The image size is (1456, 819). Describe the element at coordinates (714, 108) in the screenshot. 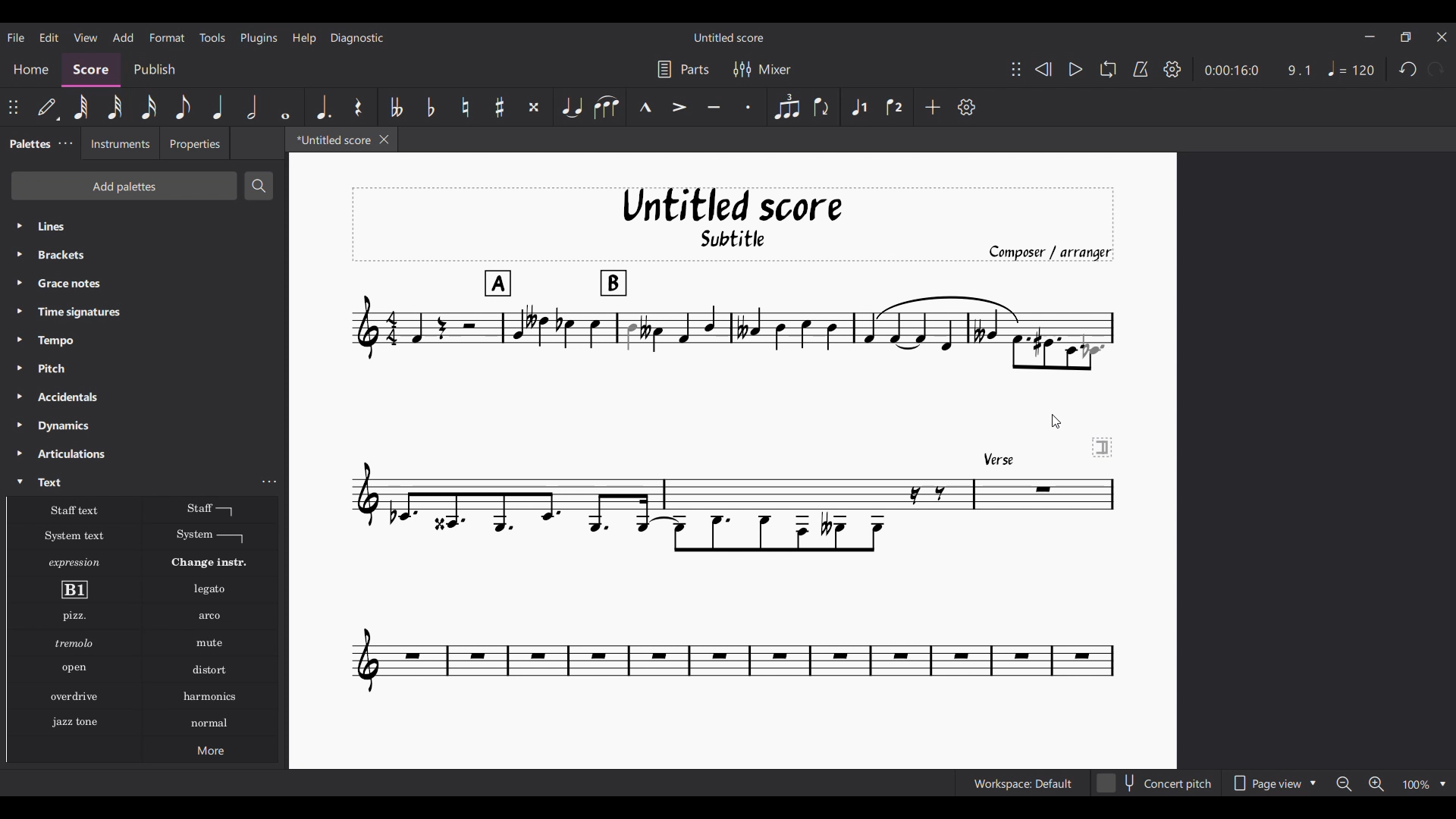

I see `Tenuto` at that location.